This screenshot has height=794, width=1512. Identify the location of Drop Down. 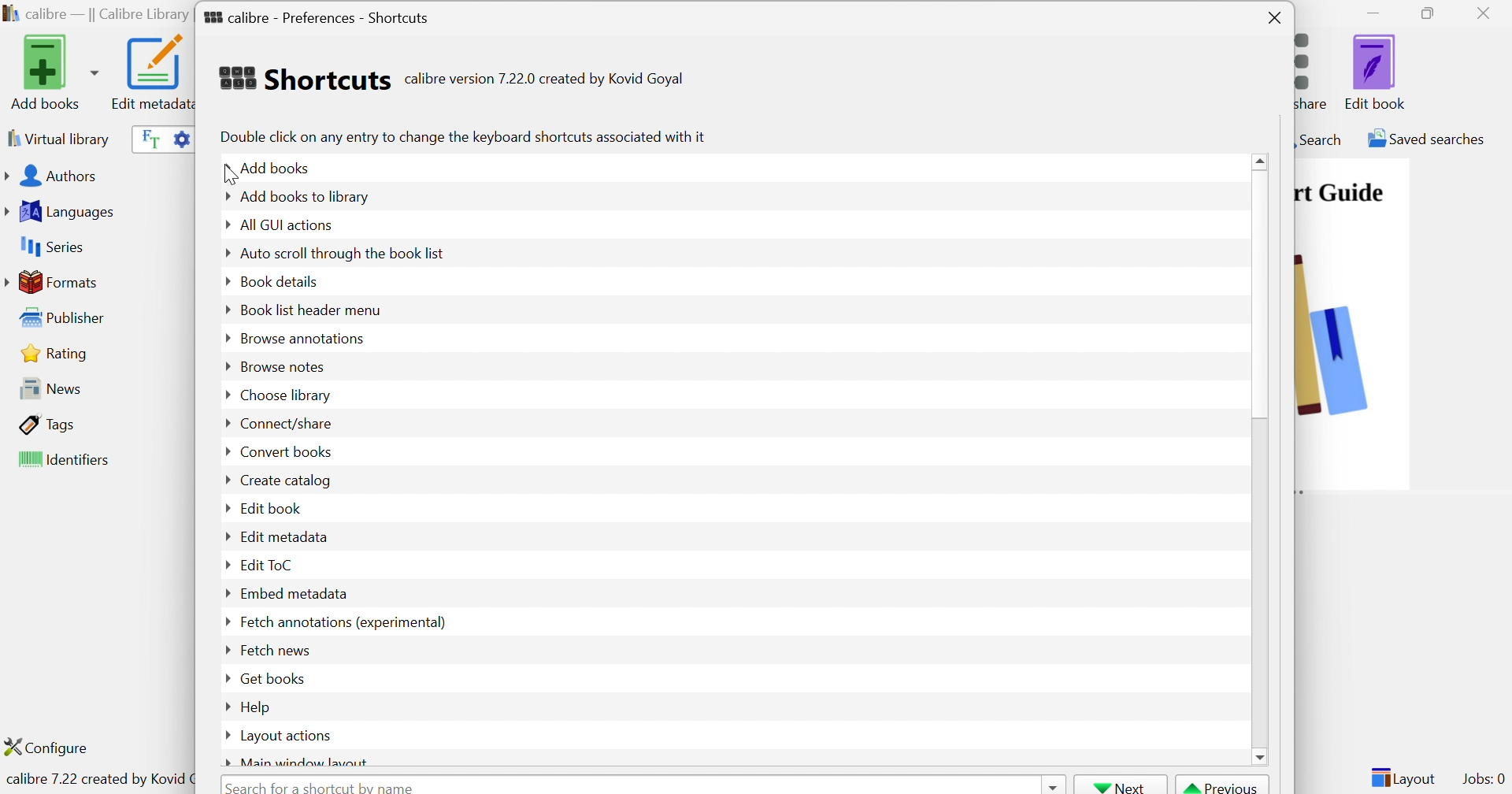
(227, 424).